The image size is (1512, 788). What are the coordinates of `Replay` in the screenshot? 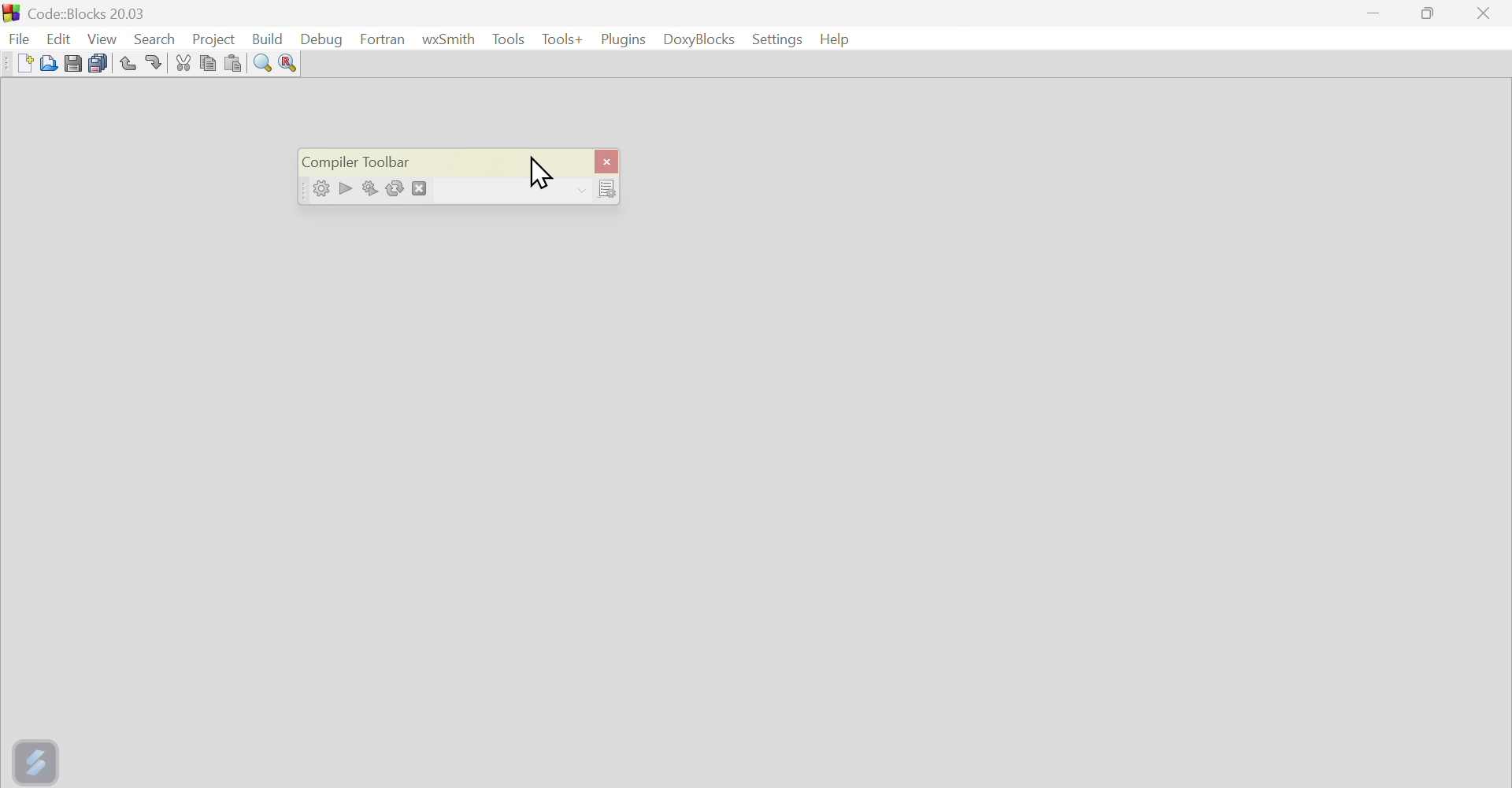 It's located at (398, 187).